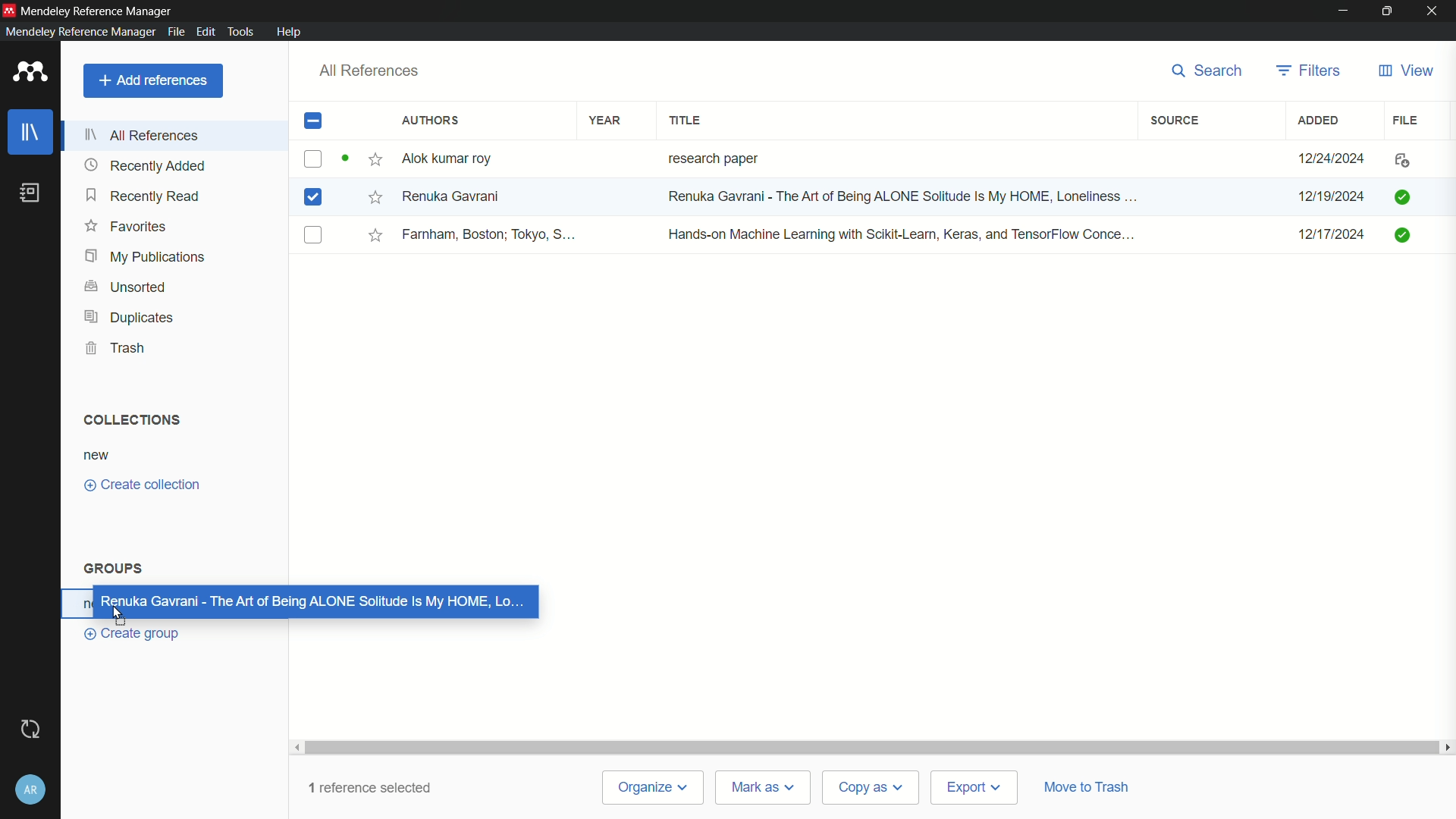  I want to click on help menu, so click(290, 32).